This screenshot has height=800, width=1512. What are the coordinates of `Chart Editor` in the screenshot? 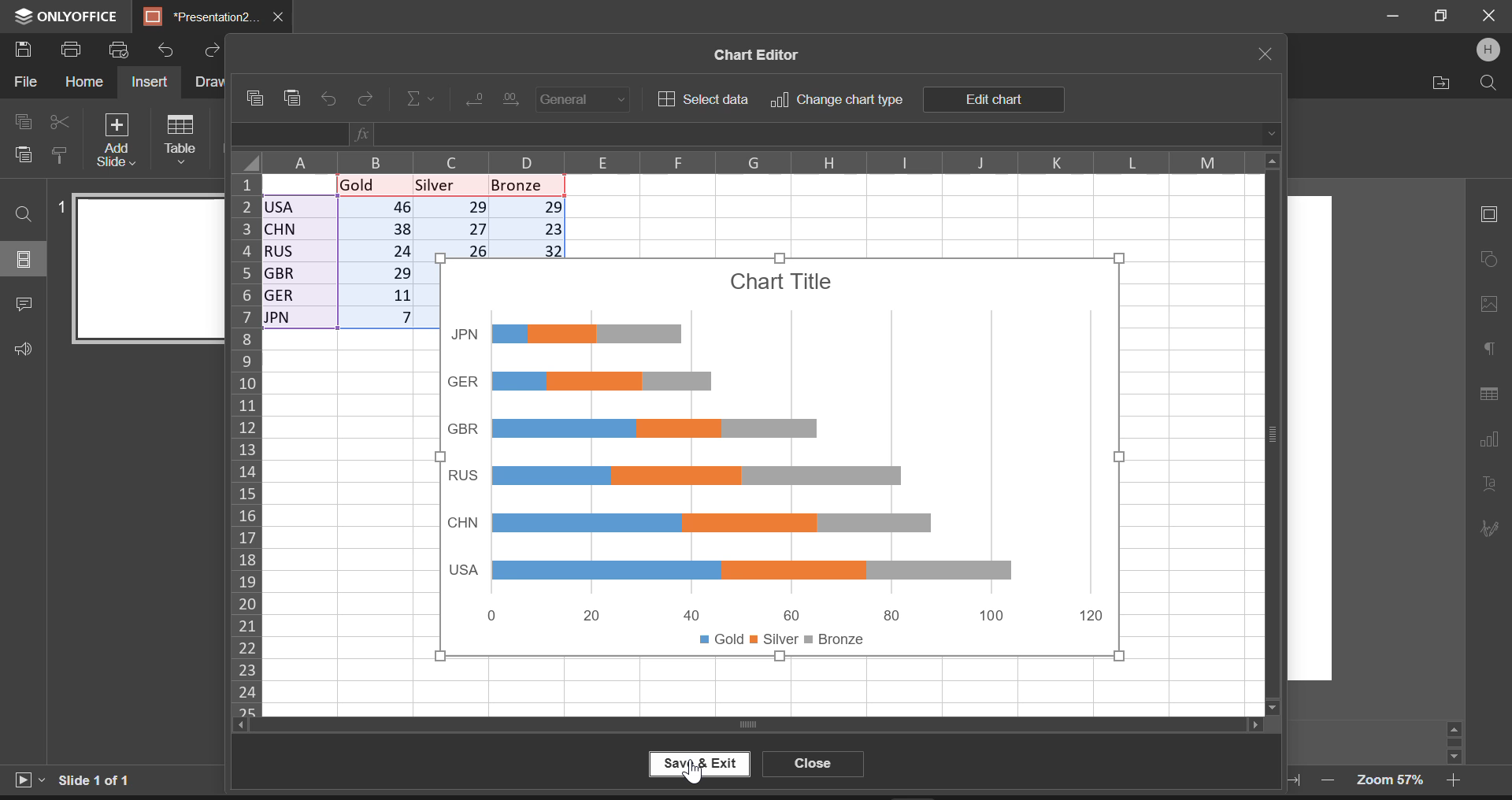 It's located at (759, 54).